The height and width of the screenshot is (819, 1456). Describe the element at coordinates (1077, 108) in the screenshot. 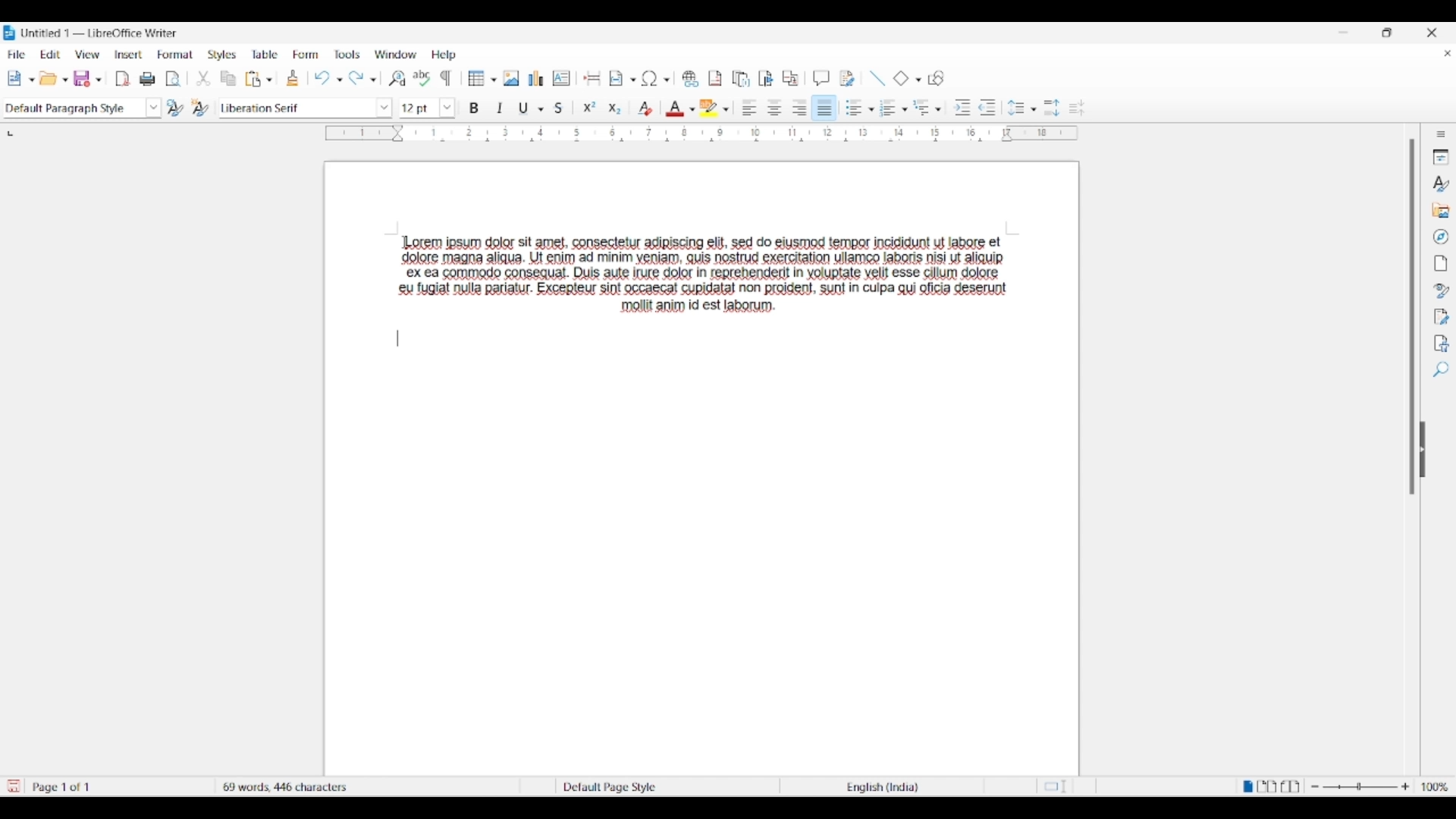

I see `Decrease line spacing` at that location.